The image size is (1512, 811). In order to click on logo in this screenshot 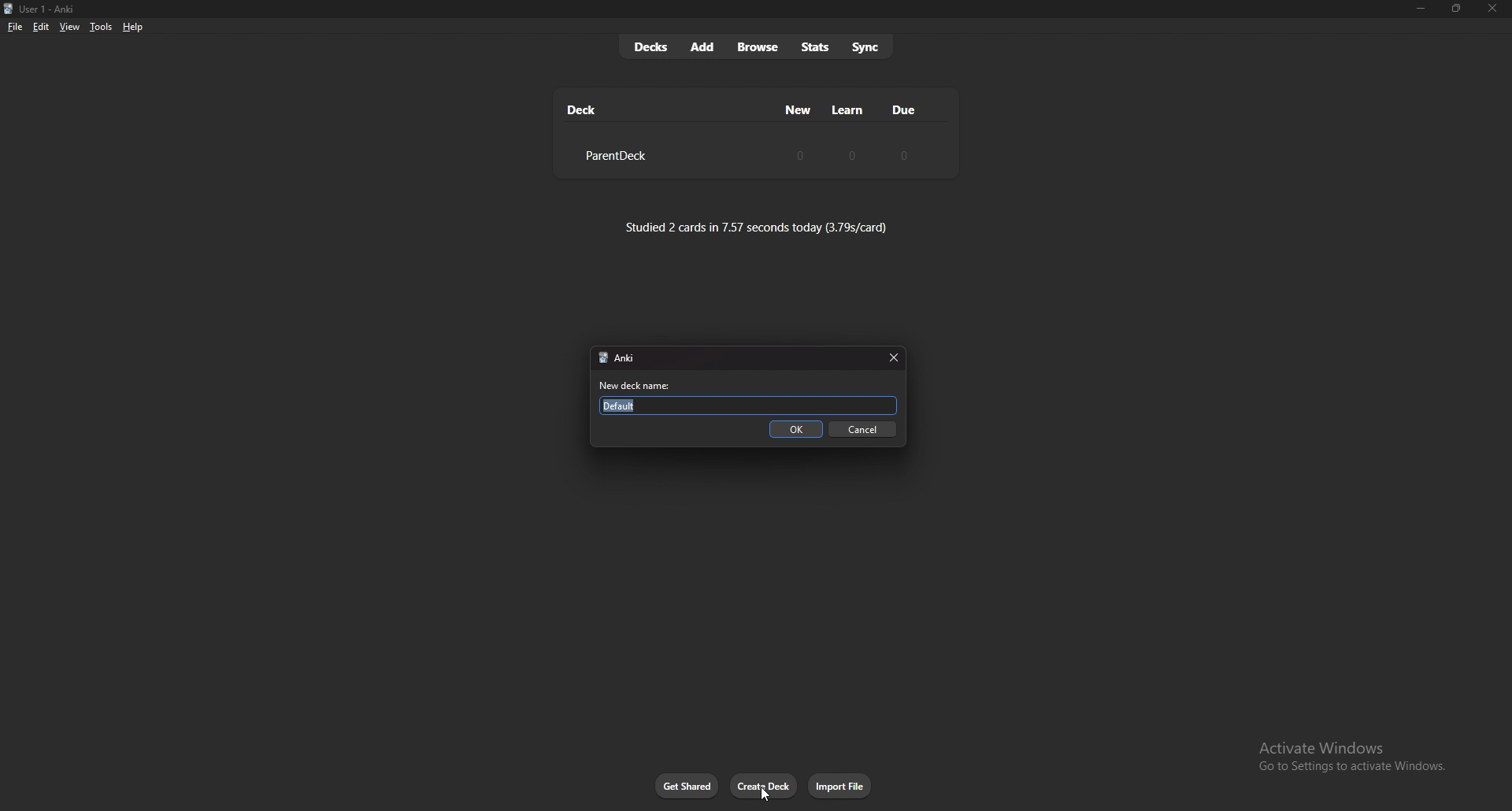, I will do `click(601, 358)`.